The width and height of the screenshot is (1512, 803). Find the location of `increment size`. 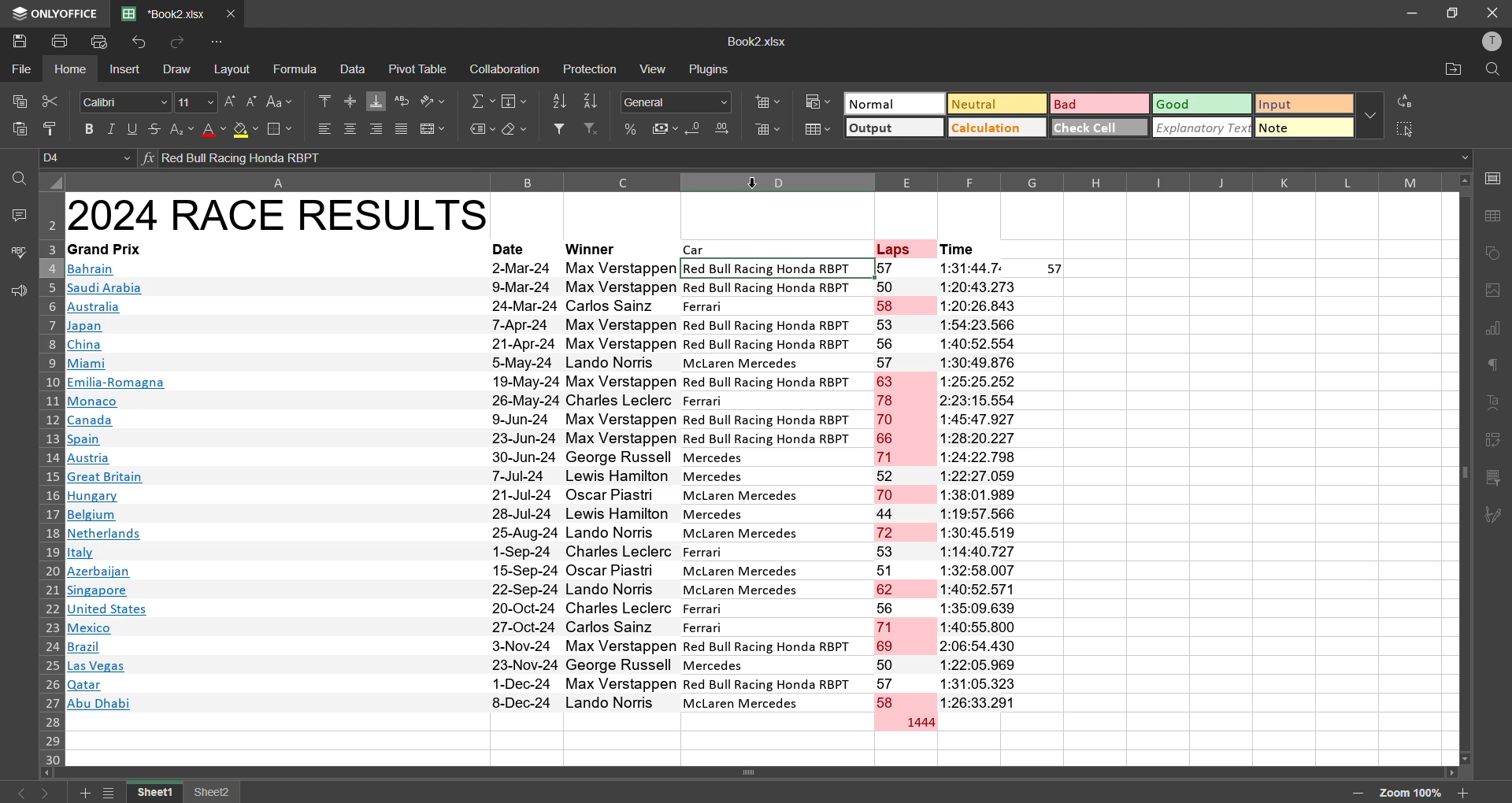

increment size is located at coordinates (230, 102).